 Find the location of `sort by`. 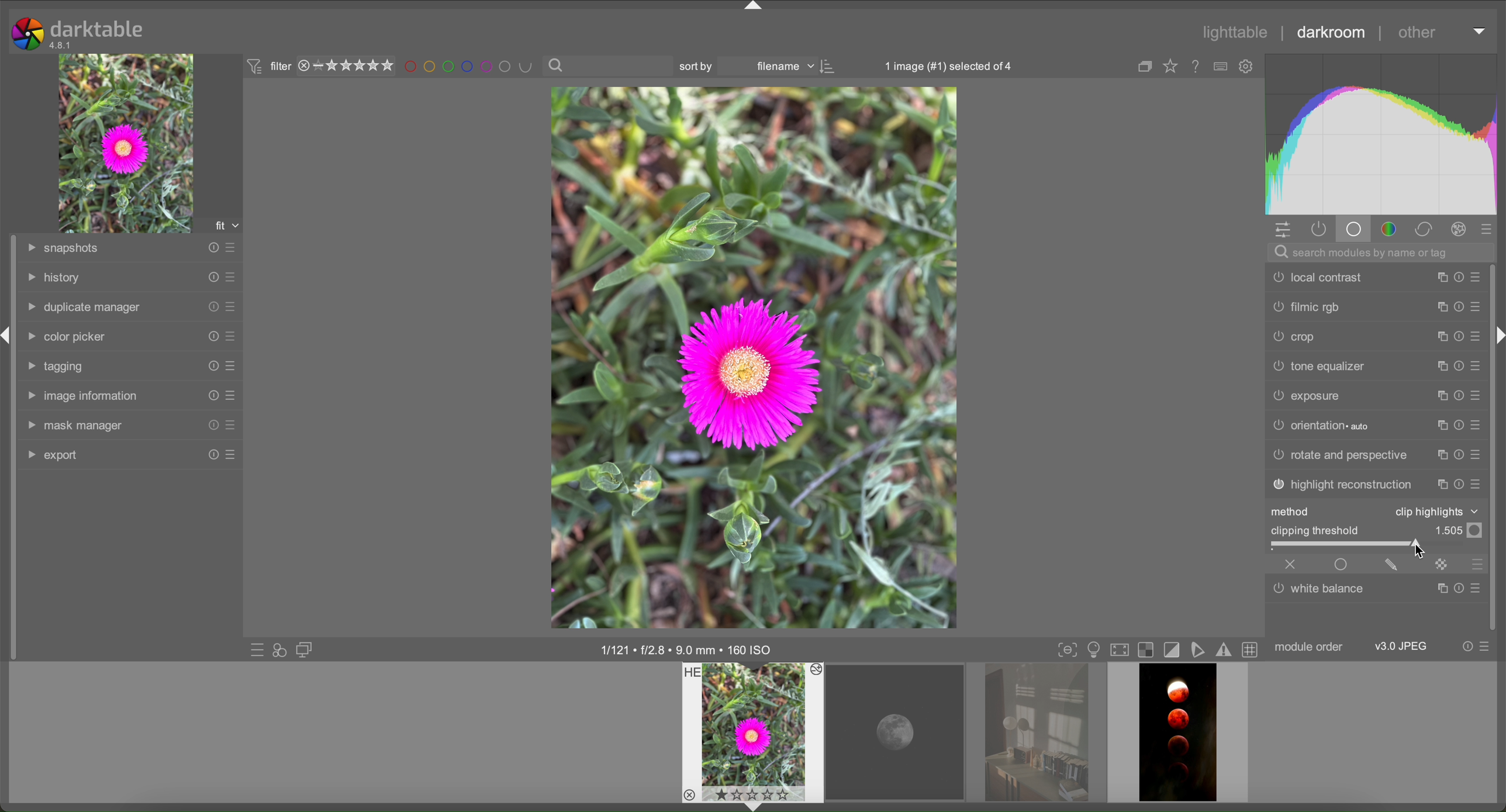

sort by is located at coordinates (700, 66).